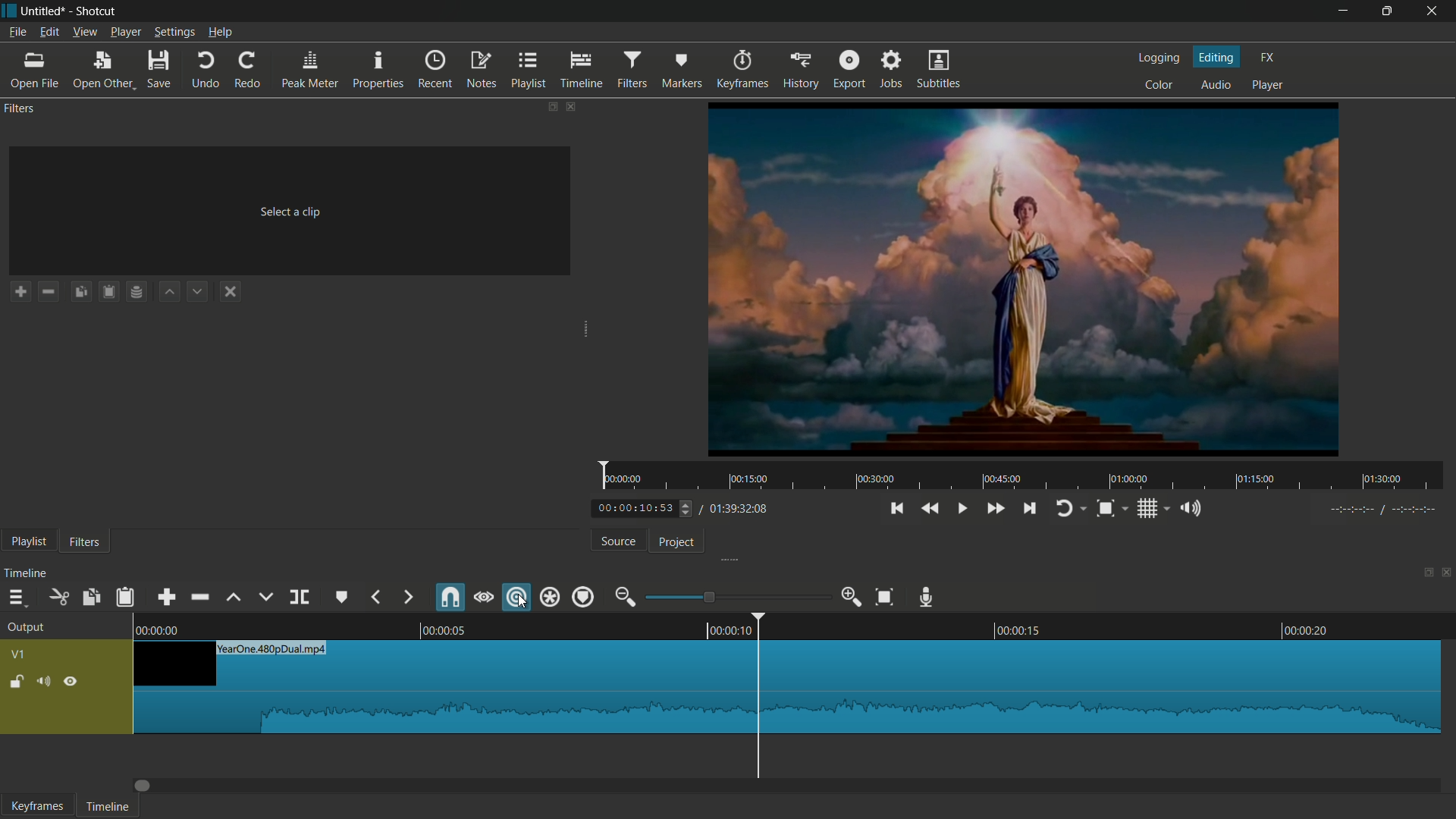 Image resolution: width=1456 pixels, height=819 pixels. Describe the element at coordinates (1423, 573) in the screenshot. I see `change layout` at that location.